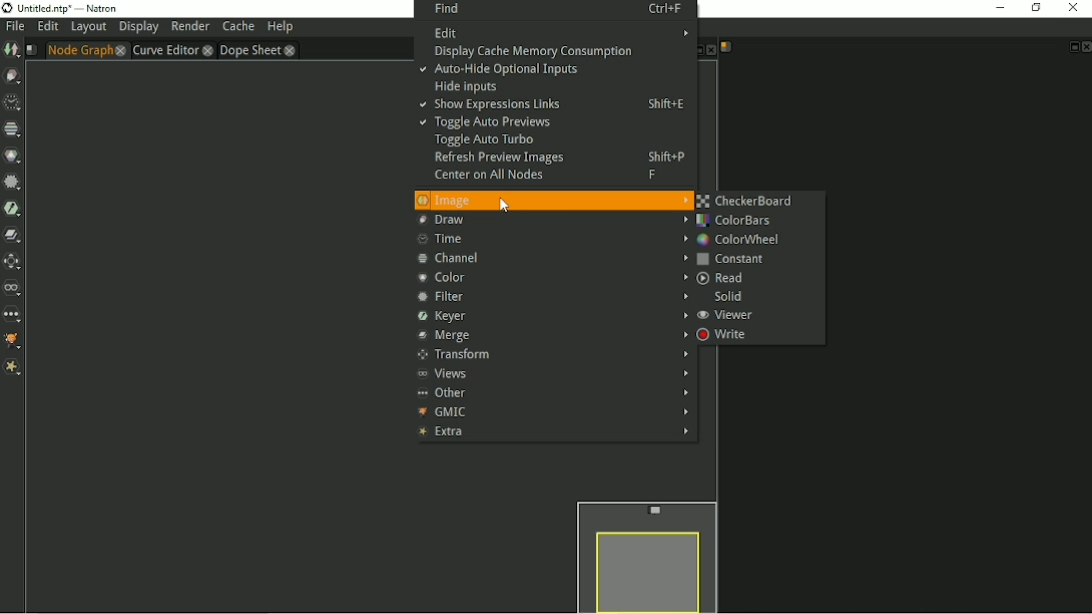 Image resolution: width=1092 pixels, height=614 pixels. Describe the element at coordinates (555, 105) in the screenshot. I see `Show expressions links` at that location.